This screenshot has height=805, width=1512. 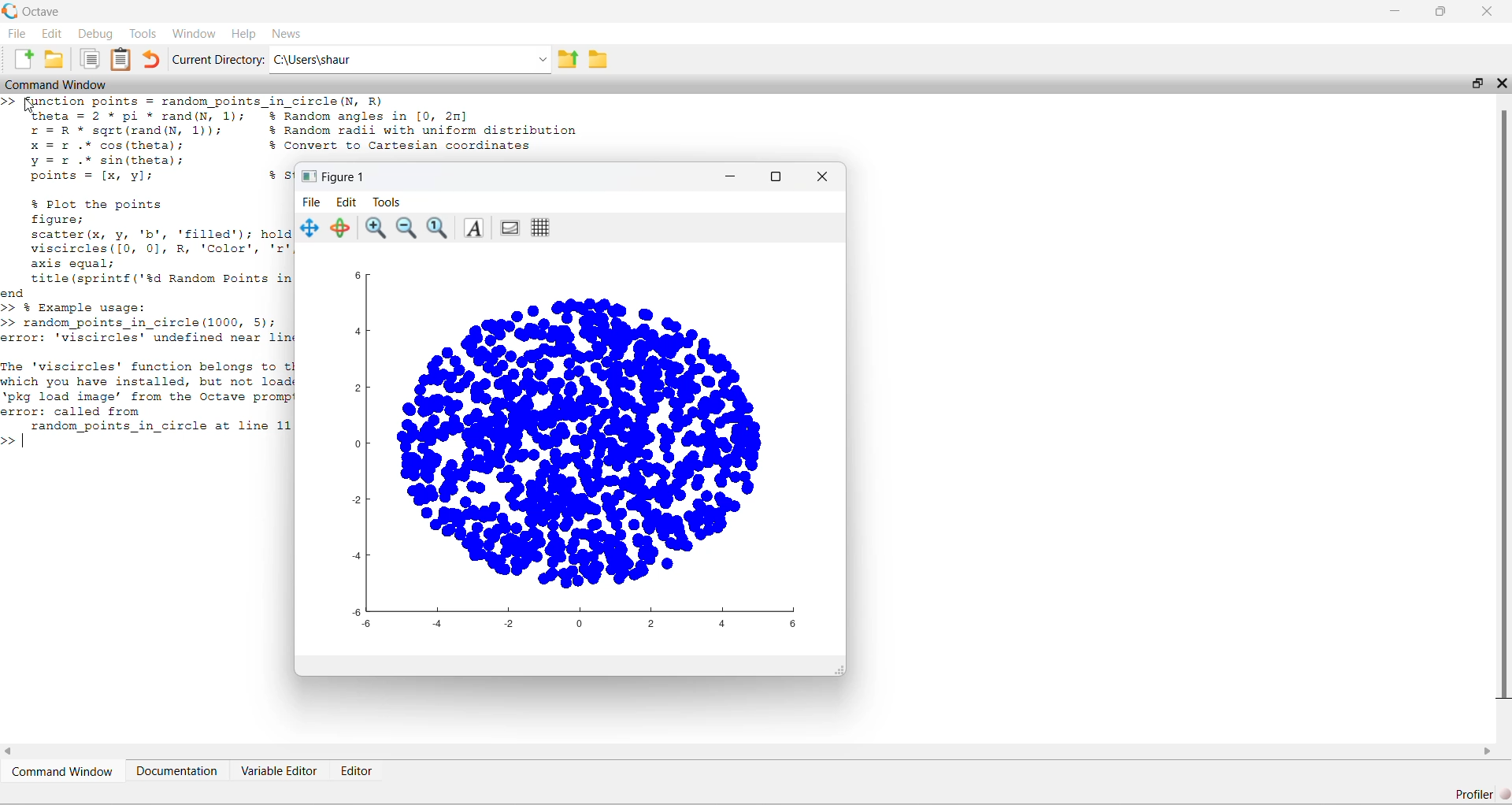 What do you see at coordinates (152, 59) in the screenshot?
I see `Undo` at bounding box center [152, 59].